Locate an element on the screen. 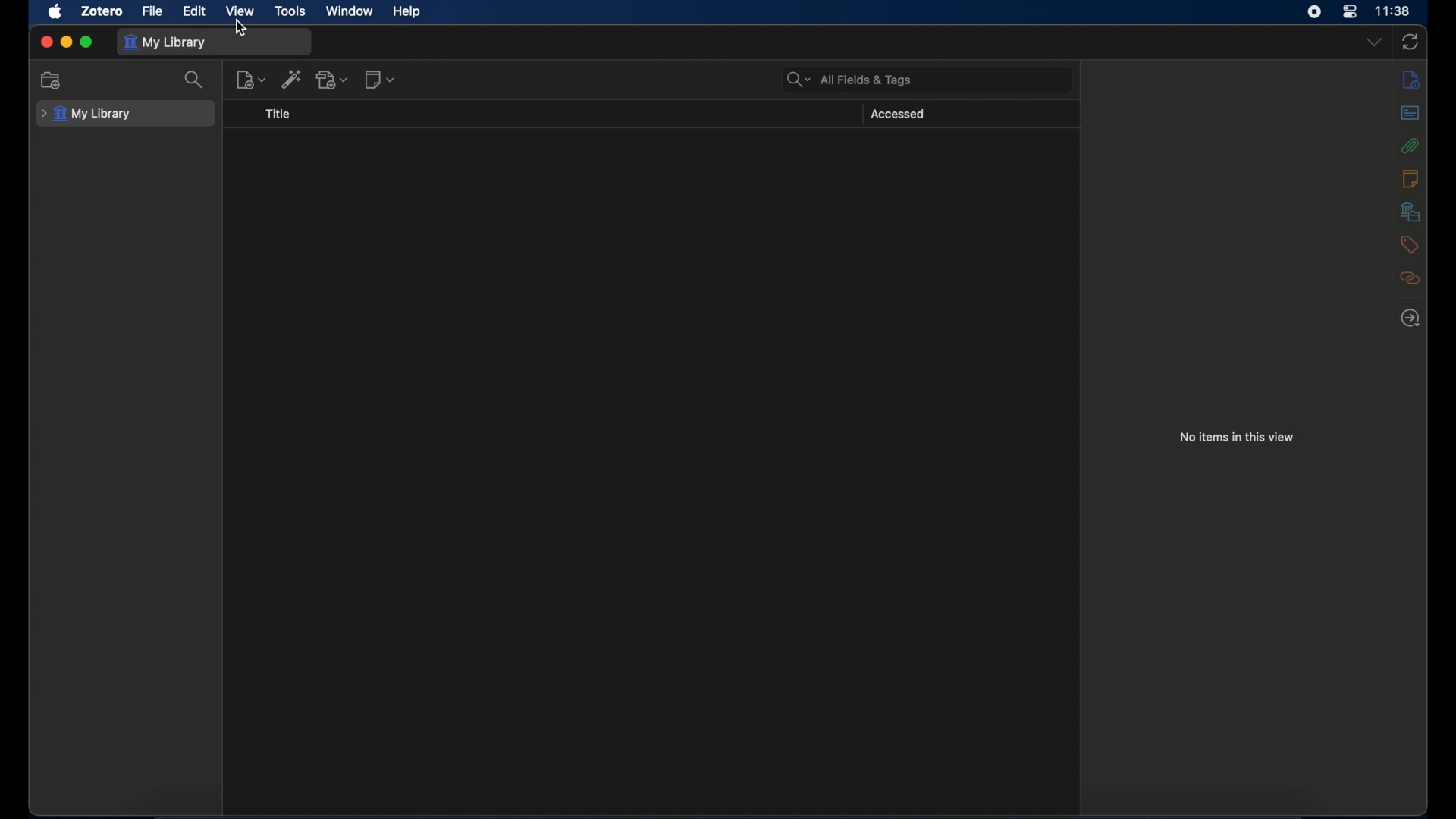 Image resolution: width=1456 pixels, height=819 pixels. tools is located at coordinates (290, 11).